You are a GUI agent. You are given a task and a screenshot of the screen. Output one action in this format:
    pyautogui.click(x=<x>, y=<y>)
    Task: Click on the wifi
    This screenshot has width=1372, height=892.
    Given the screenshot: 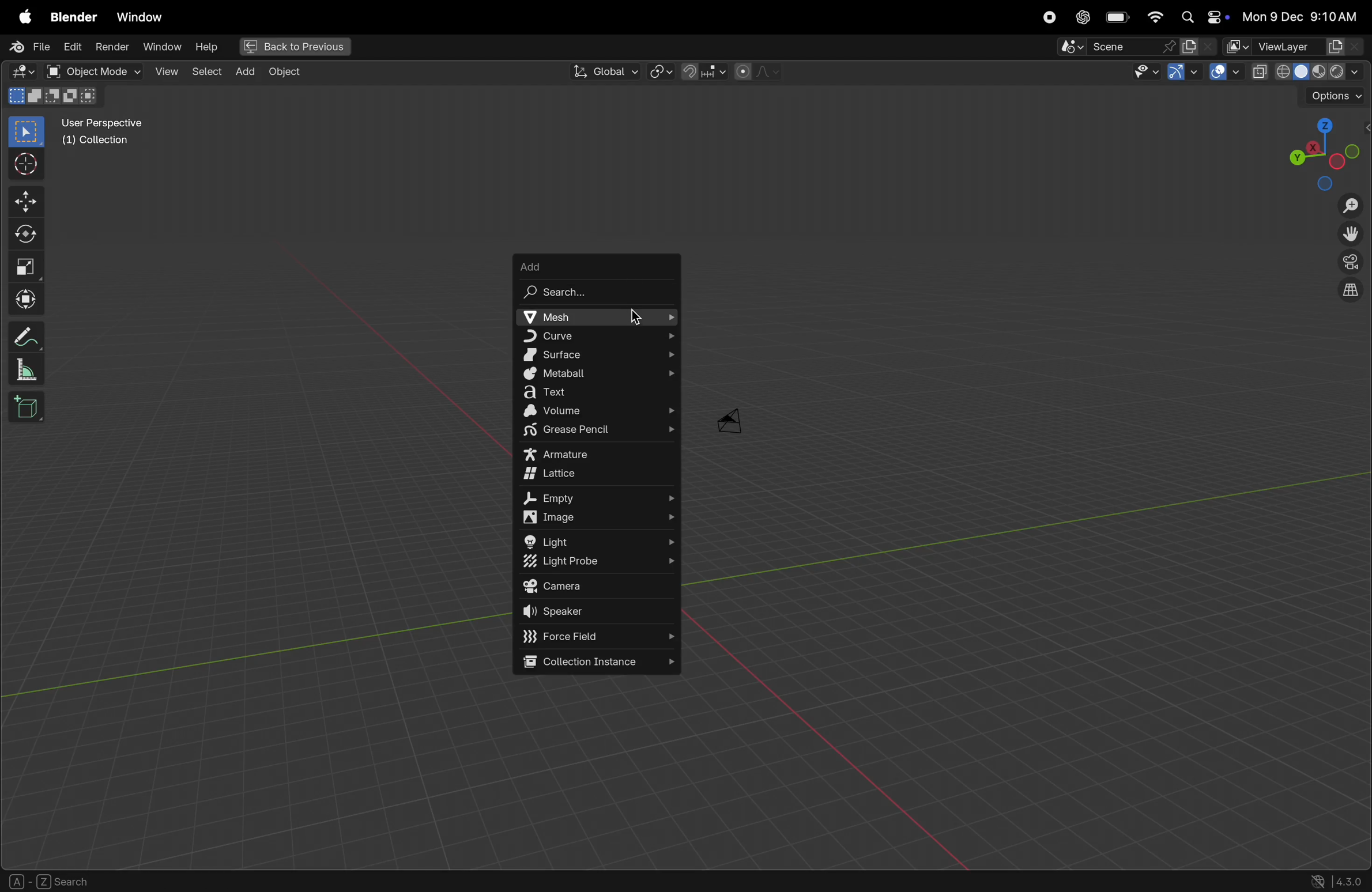 What is the action you would take?
    pyautogui.click(x=1155, y=17)
    